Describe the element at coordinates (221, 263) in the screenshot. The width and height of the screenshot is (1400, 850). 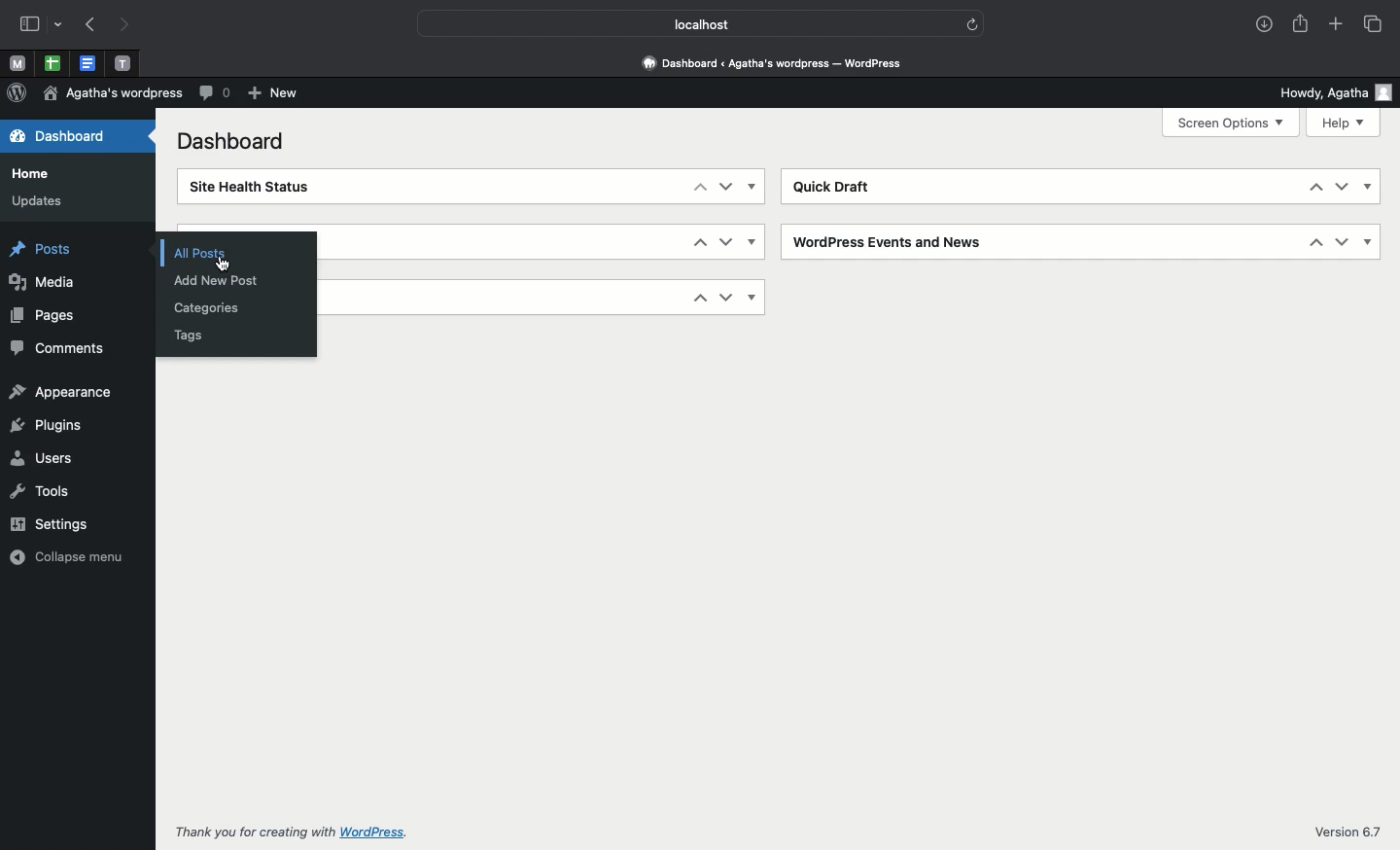
I see `click` at that location.